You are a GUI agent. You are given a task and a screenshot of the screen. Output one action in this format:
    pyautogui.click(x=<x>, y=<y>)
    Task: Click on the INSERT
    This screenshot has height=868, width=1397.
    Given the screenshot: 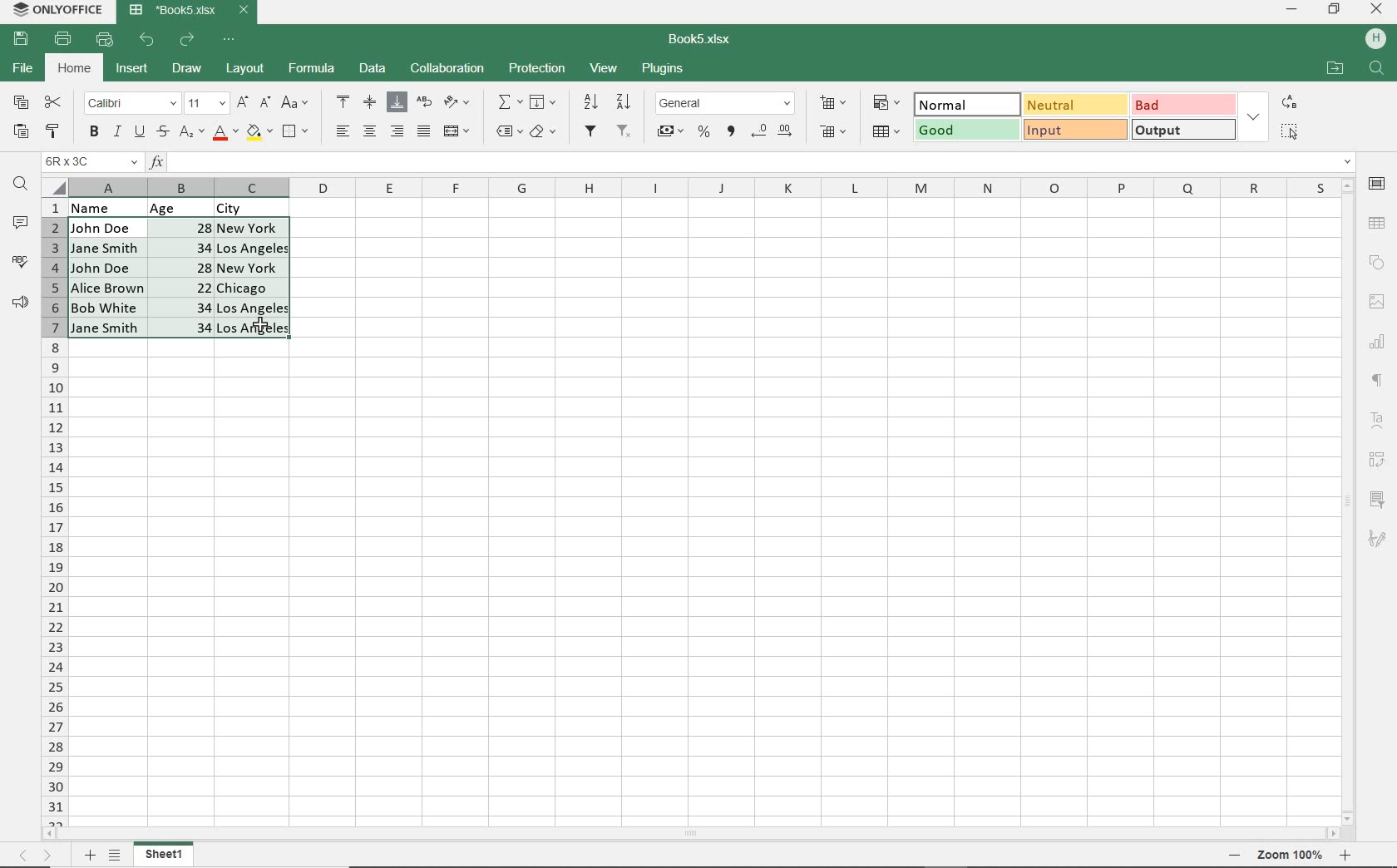 What is the action you would take?
    pyautogui.click(x=132, y=71)
    